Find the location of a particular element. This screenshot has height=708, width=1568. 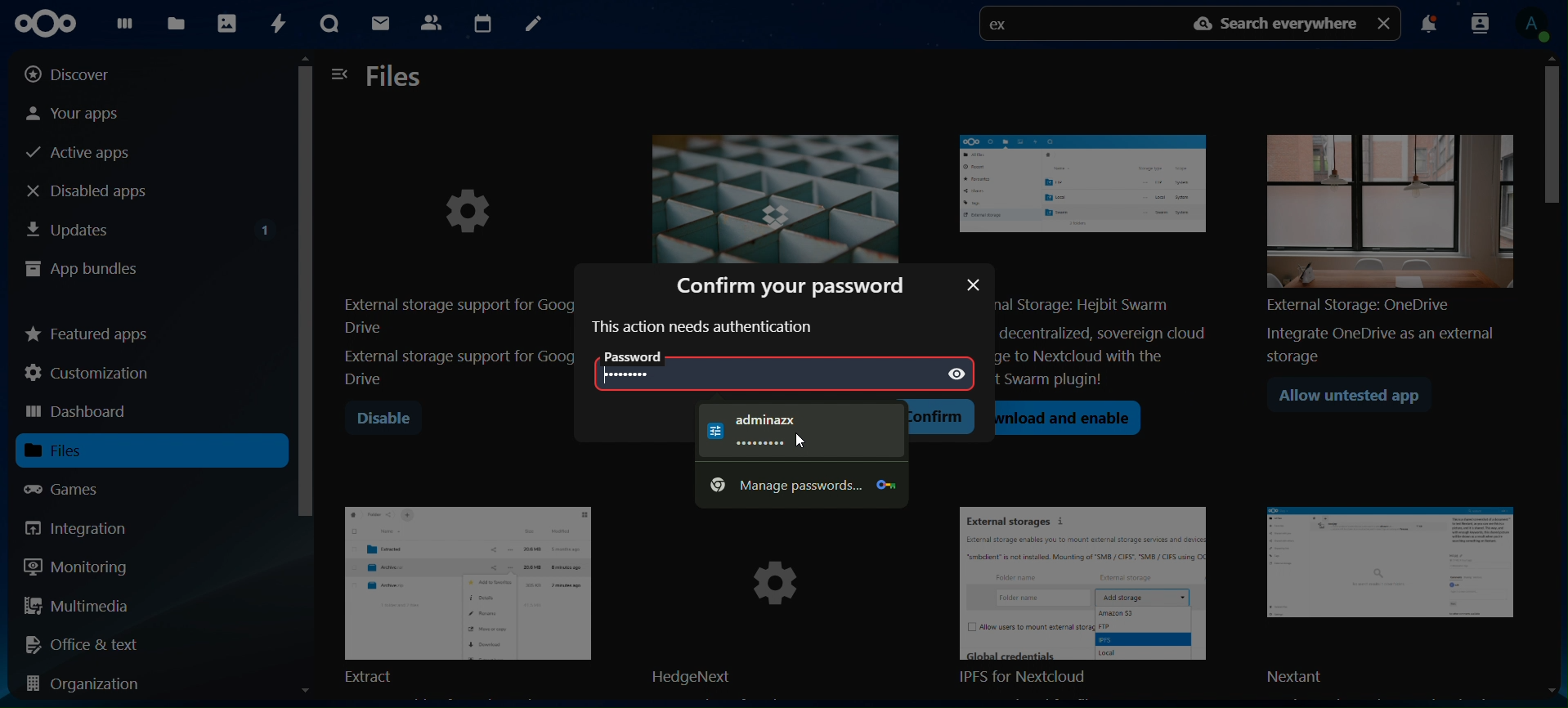

password is located at coordinates (645, 357).